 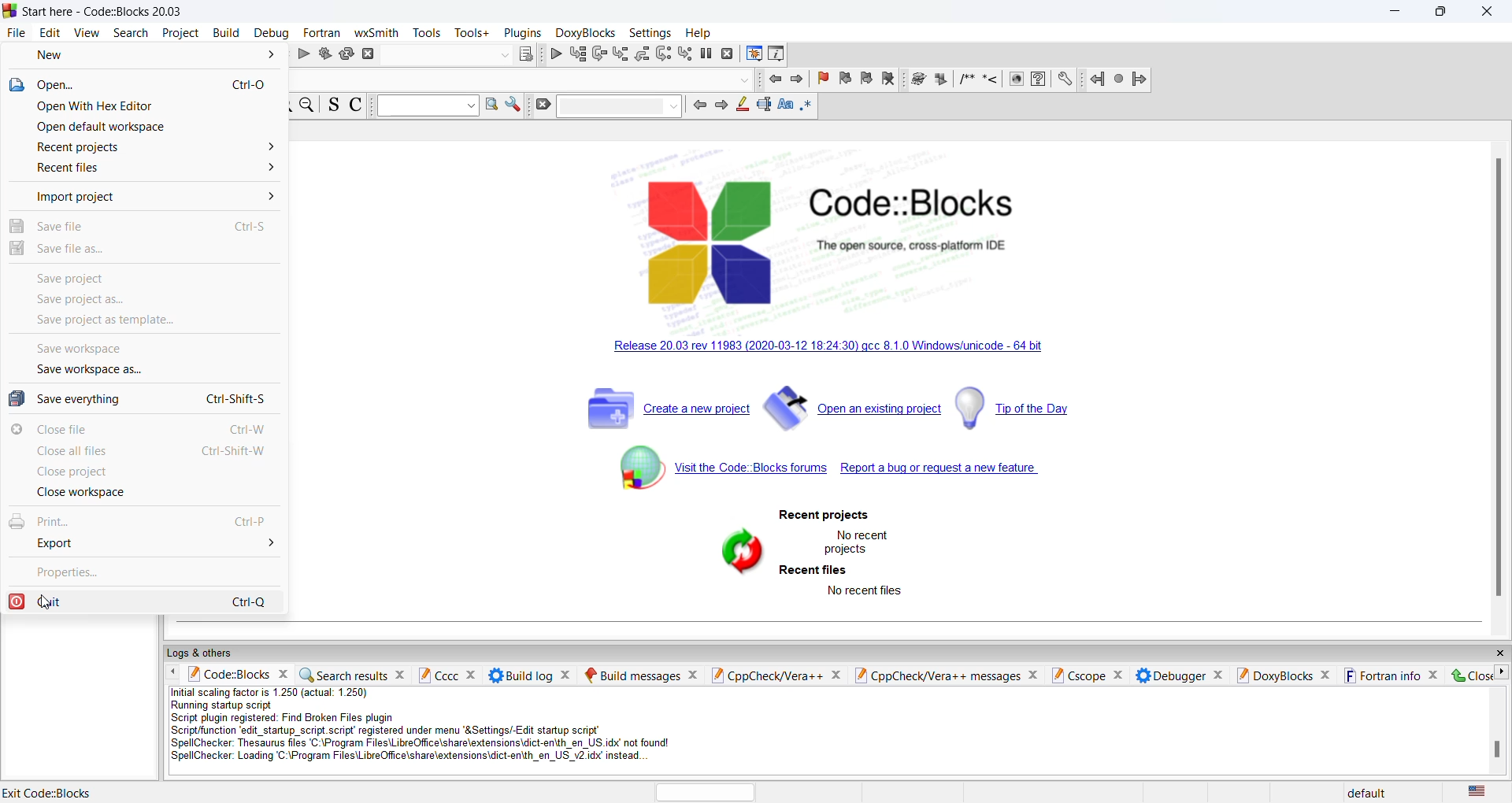 What do you see at coordinates (650, 32) in the screenshot?
I see `settings` at bounding box center [650, 32].